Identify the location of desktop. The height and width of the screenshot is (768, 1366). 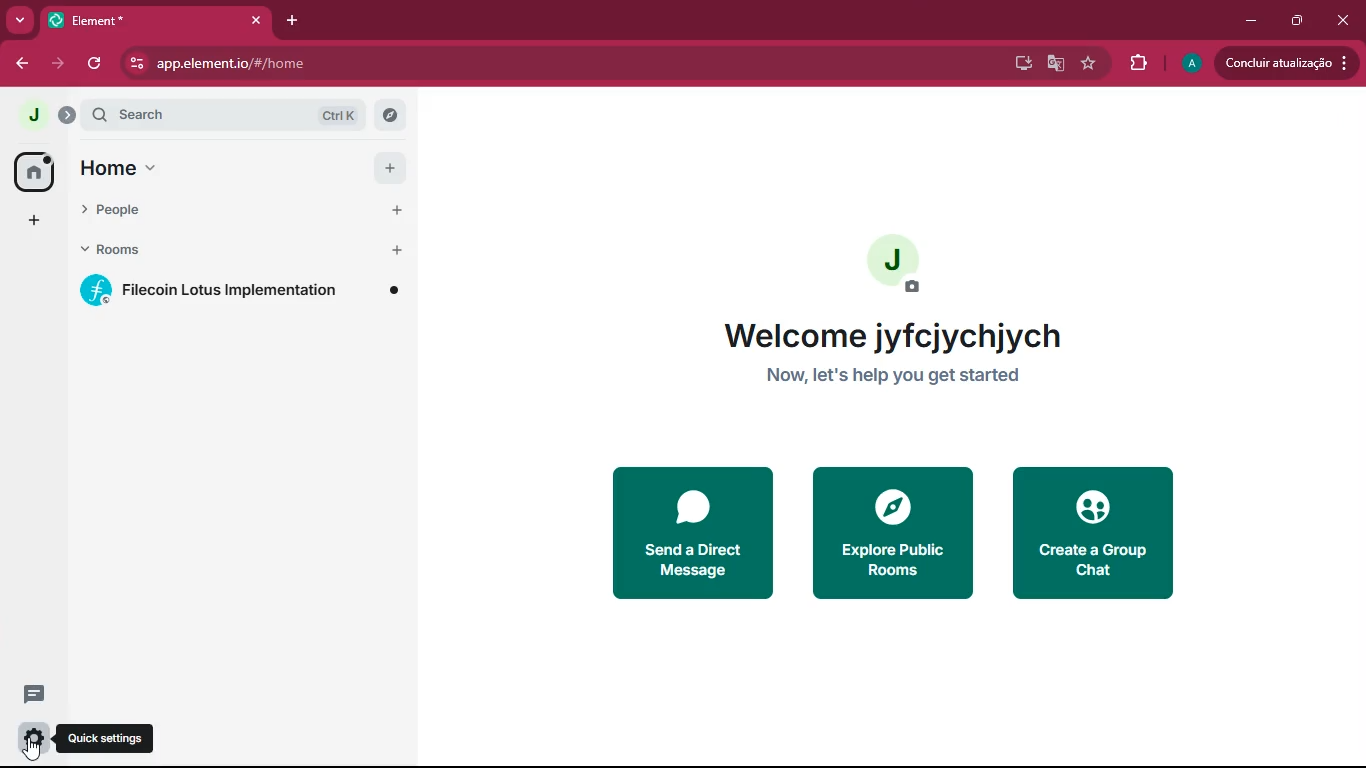
(1021, 64).